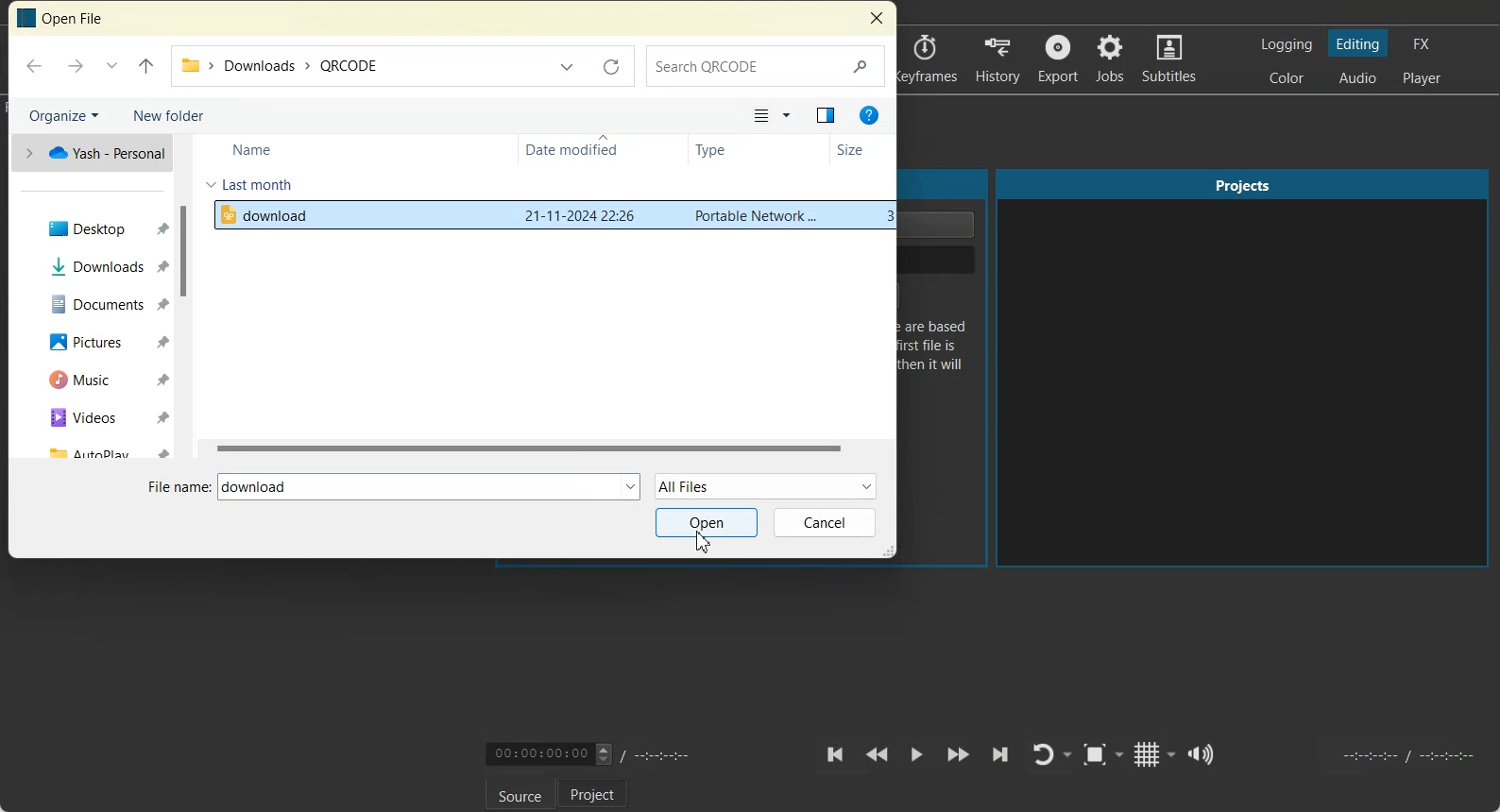  What do you see at coordinates (877, 755) in the screenshot?
I see `Play quickly backward` at bounding box center [877, 755].